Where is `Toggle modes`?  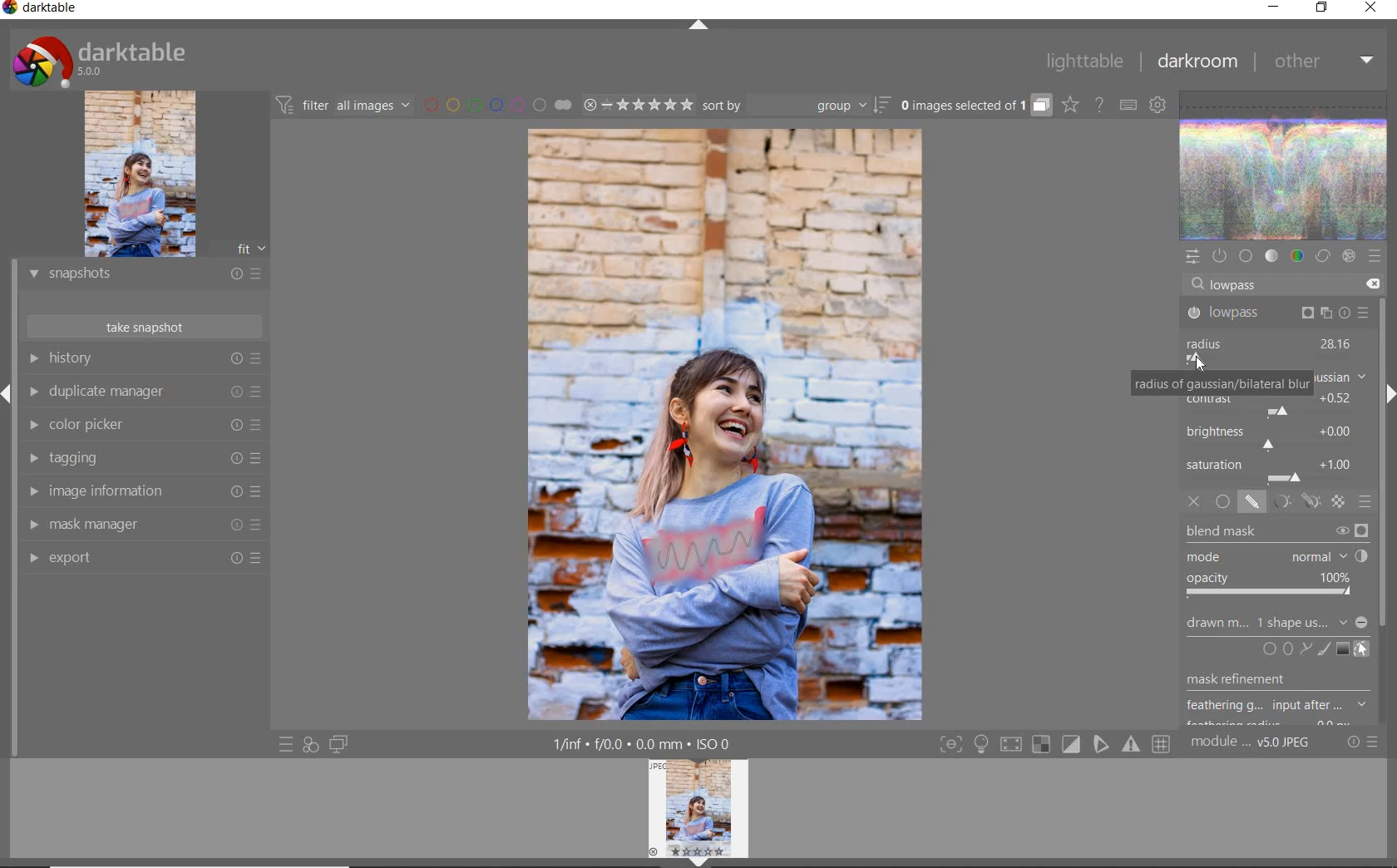
Toggle modes is located at coordinates (1054, 745).